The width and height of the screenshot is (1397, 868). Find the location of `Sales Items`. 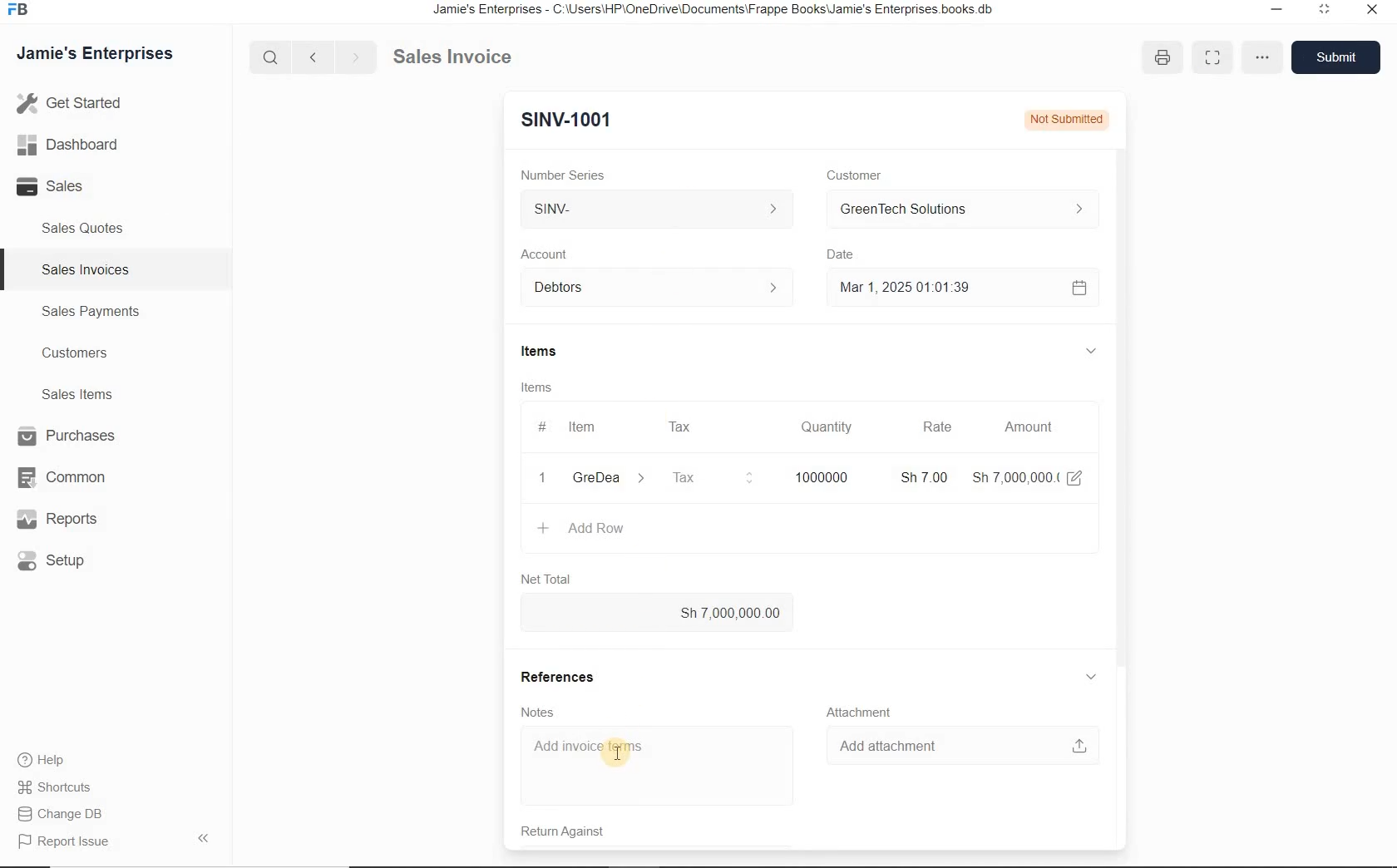

Sales Items is located at coordinates (73, 394).